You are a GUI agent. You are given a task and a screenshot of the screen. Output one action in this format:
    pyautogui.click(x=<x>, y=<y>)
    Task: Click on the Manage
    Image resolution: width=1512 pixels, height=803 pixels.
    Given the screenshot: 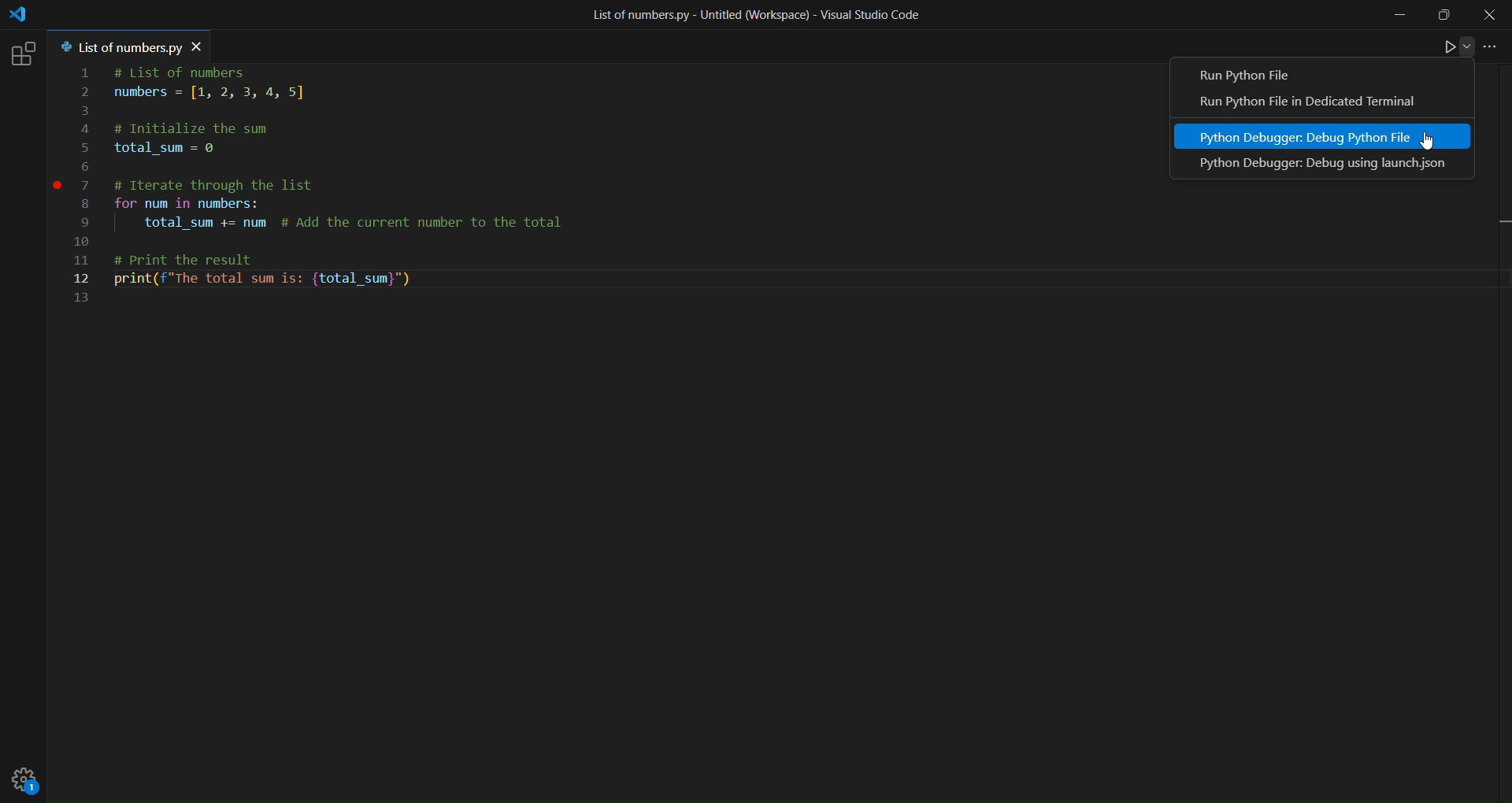 What is the action you would take?
    pyautogui.click(x=28, y=779)
    